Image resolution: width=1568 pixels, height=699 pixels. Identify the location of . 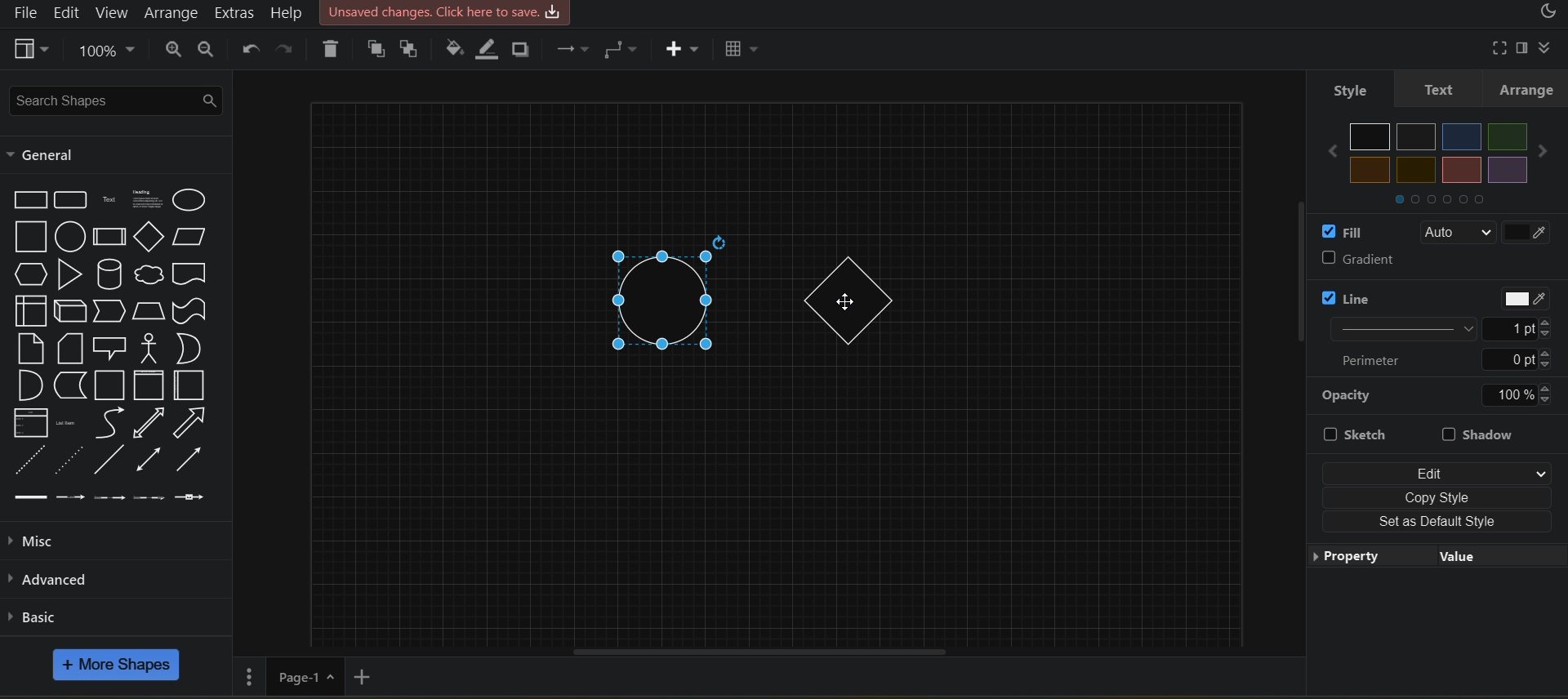
(1550, 151).